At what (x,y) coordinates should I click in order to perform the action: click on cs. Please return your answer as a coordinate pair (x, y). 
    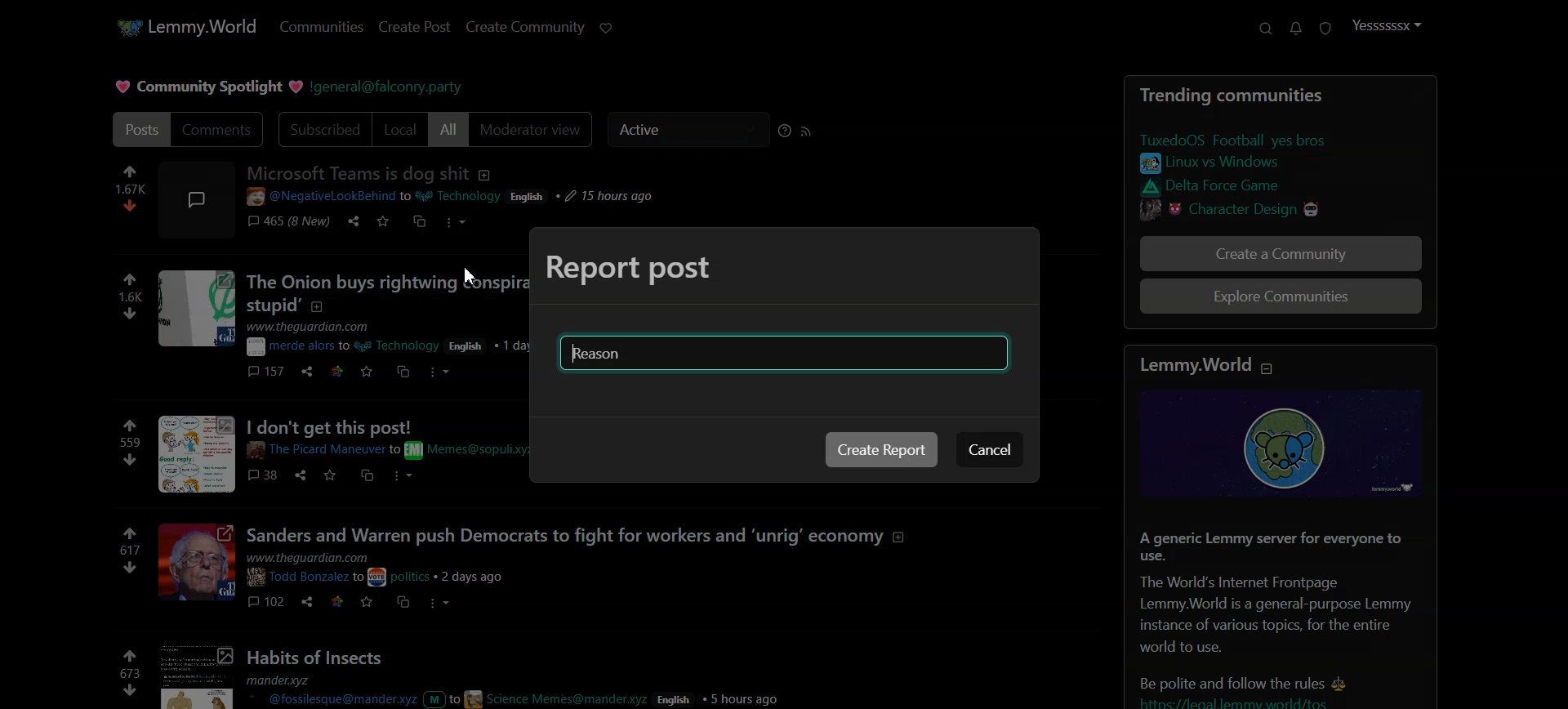
    Looking at the image, I should click on (402, 602).